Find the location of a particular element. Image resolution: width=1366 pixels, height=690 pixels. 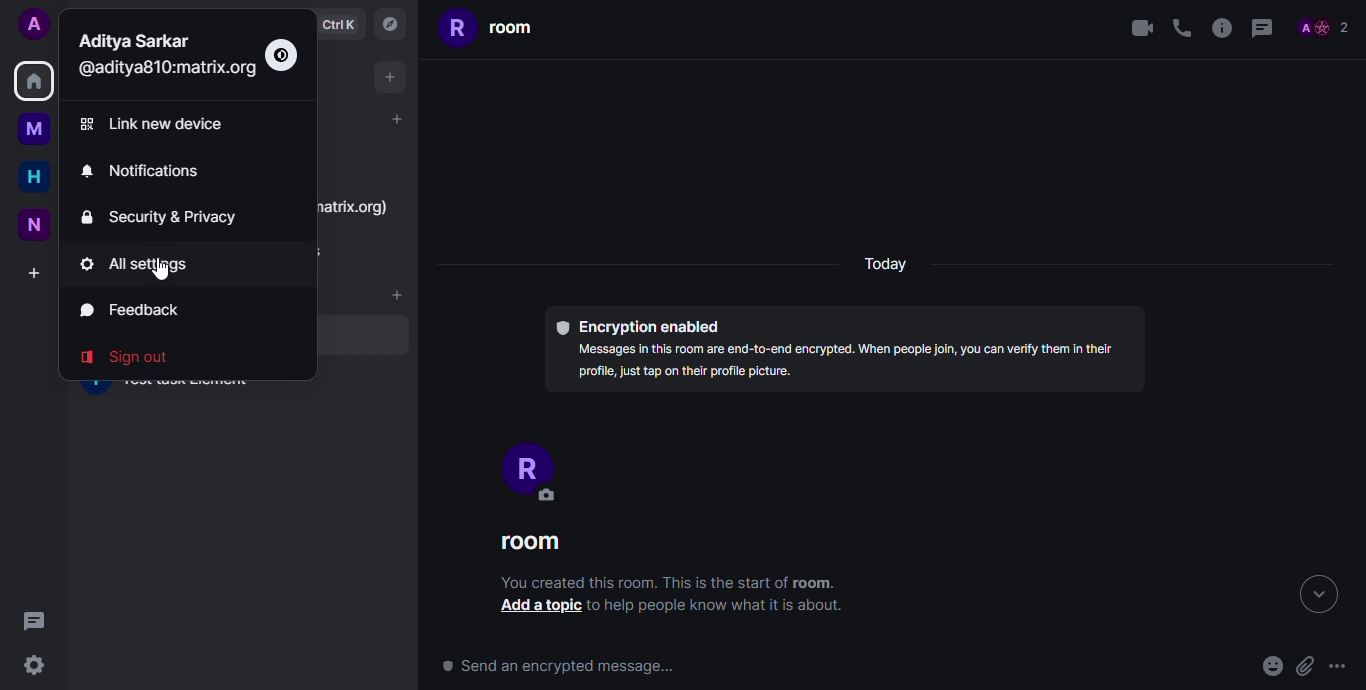

add topic is located at coordinates (535, 608).